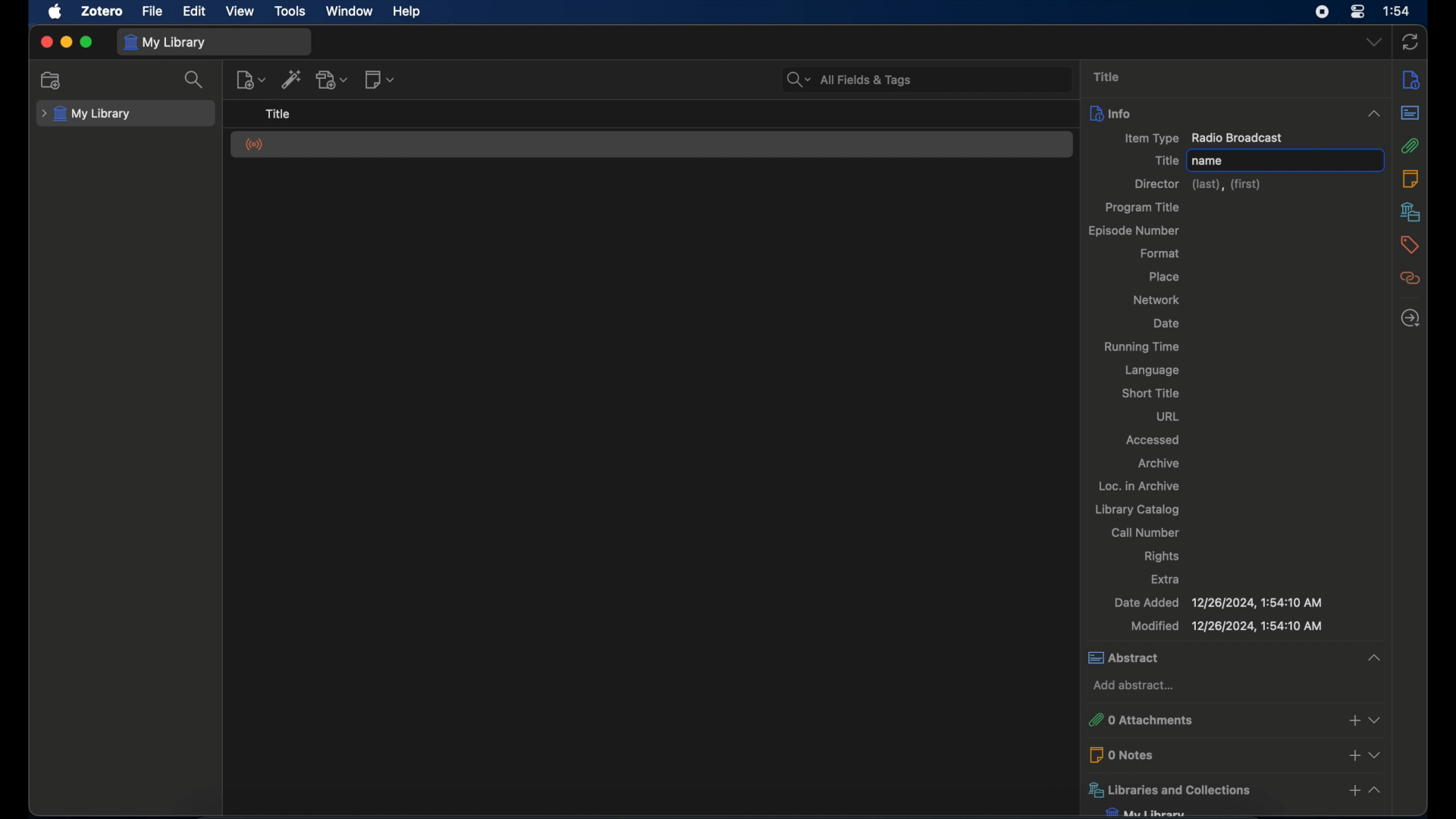  What do you see at coordinates (1237, 720) in the screenshot?
I see `0 attachments` at bounding box center [1237, 720].